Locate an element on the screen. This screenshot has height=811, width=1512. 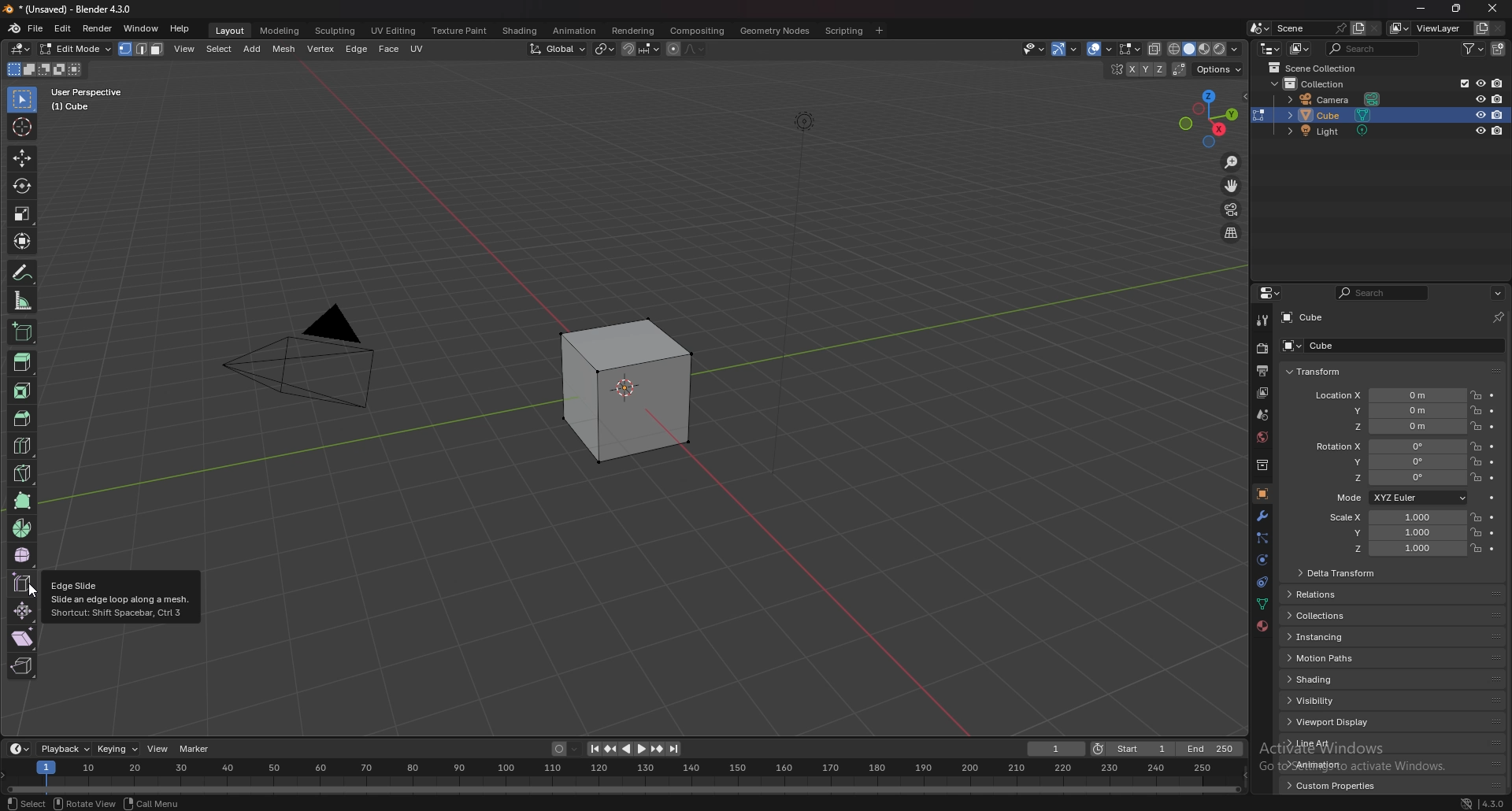
add is located at coordinates (212, 49).